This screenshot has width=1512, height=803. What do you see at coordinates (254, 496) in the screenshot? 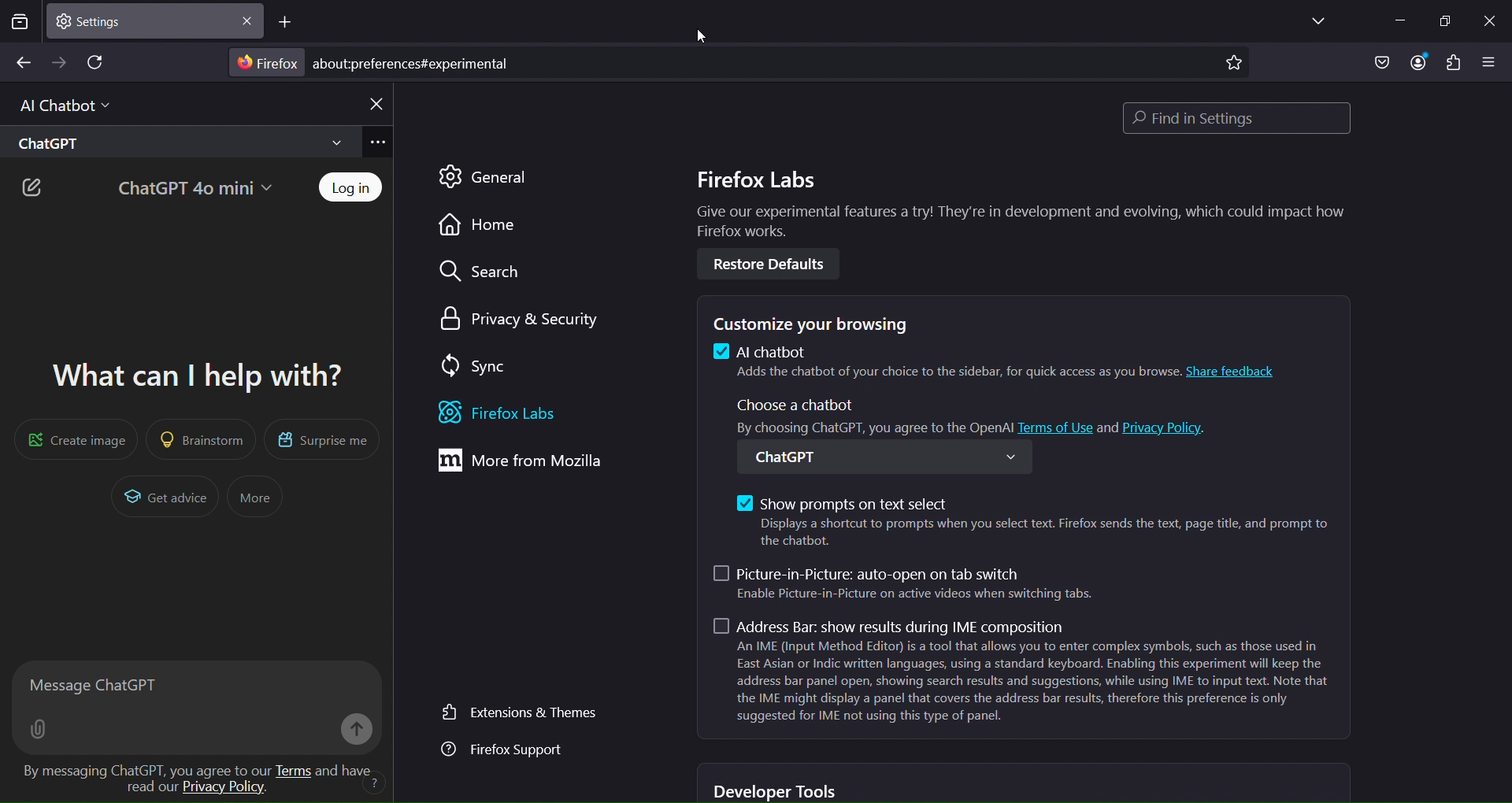
I see `More` at bounding box center [254, 496].